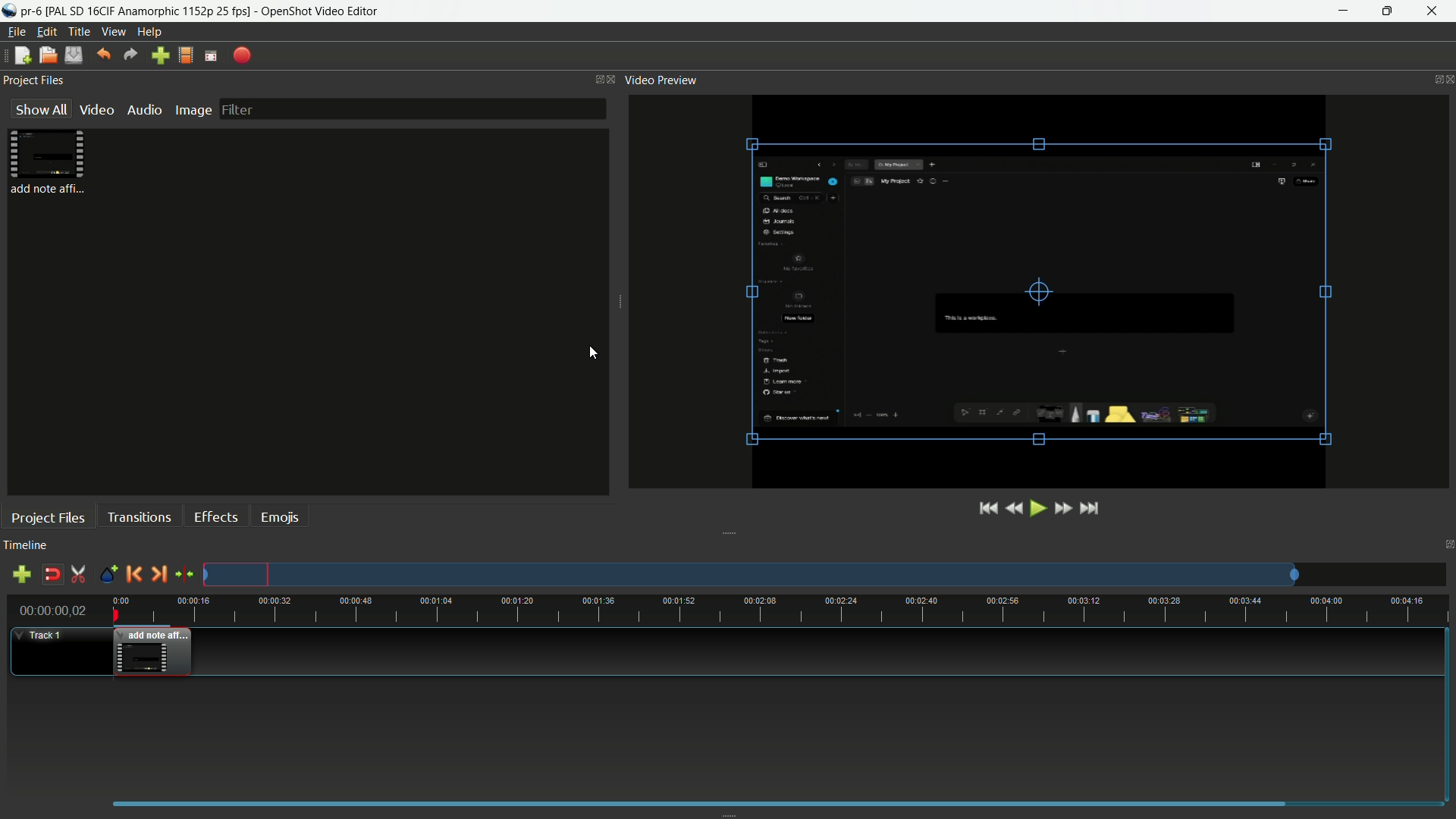  I want to click on fast forward, so click(1062, 508).